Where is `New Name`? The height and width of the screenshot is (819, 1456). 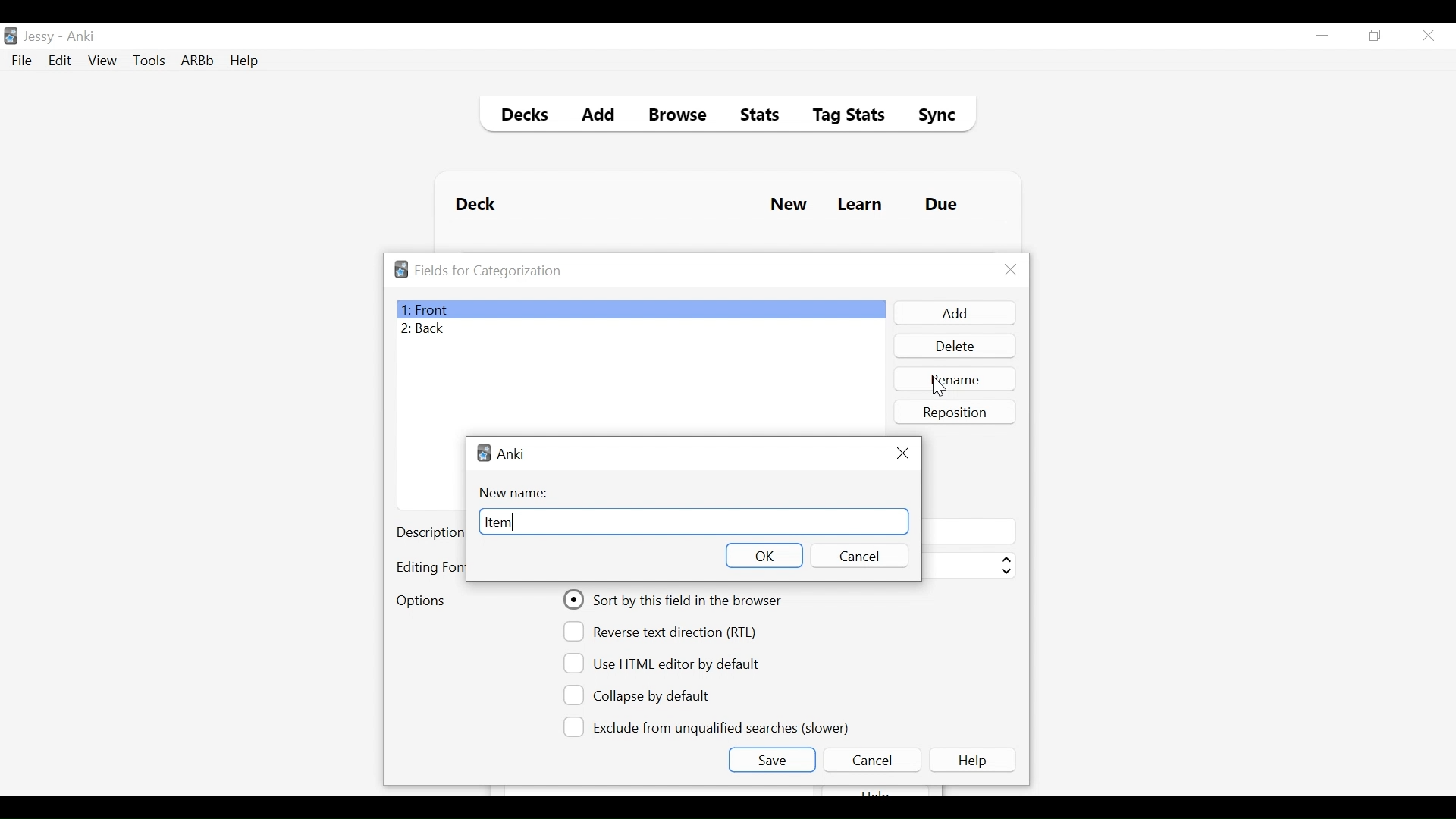 New Name is located at coordinates (518, 493).